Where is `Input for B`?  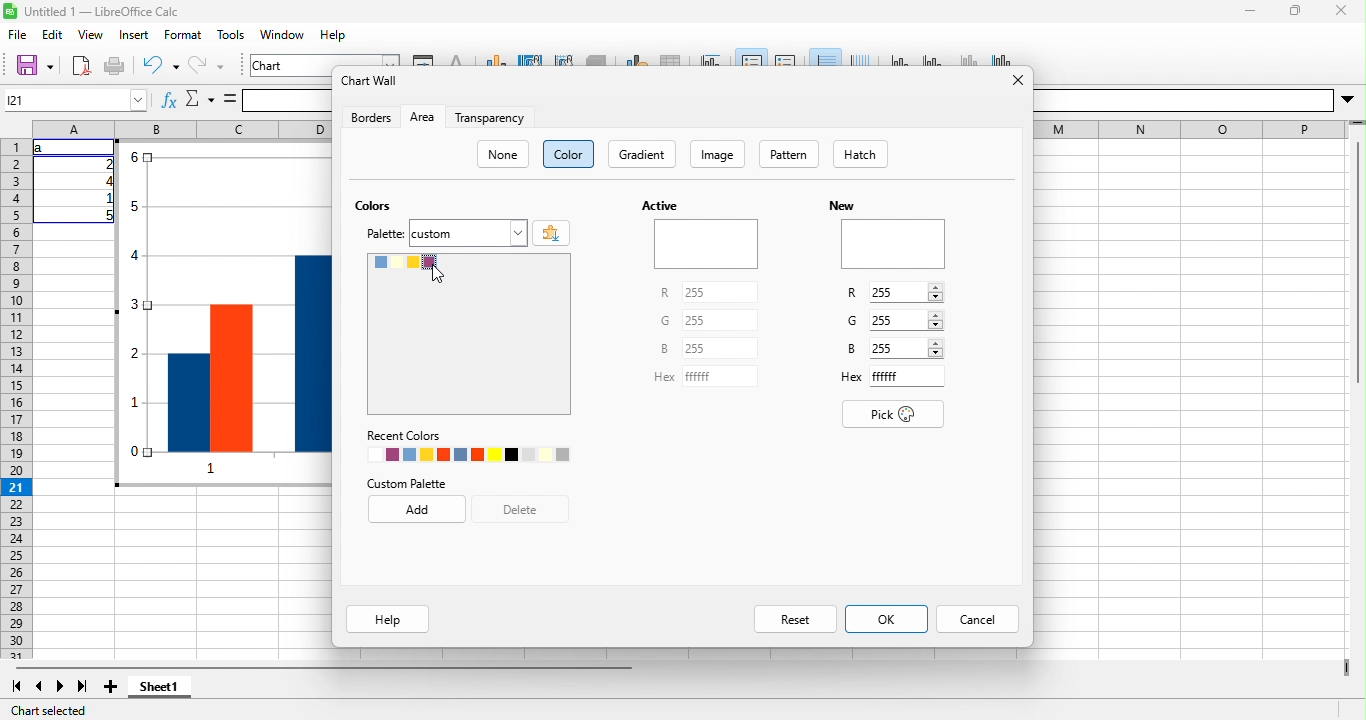
Input for B is located at coordinates (720, 348).